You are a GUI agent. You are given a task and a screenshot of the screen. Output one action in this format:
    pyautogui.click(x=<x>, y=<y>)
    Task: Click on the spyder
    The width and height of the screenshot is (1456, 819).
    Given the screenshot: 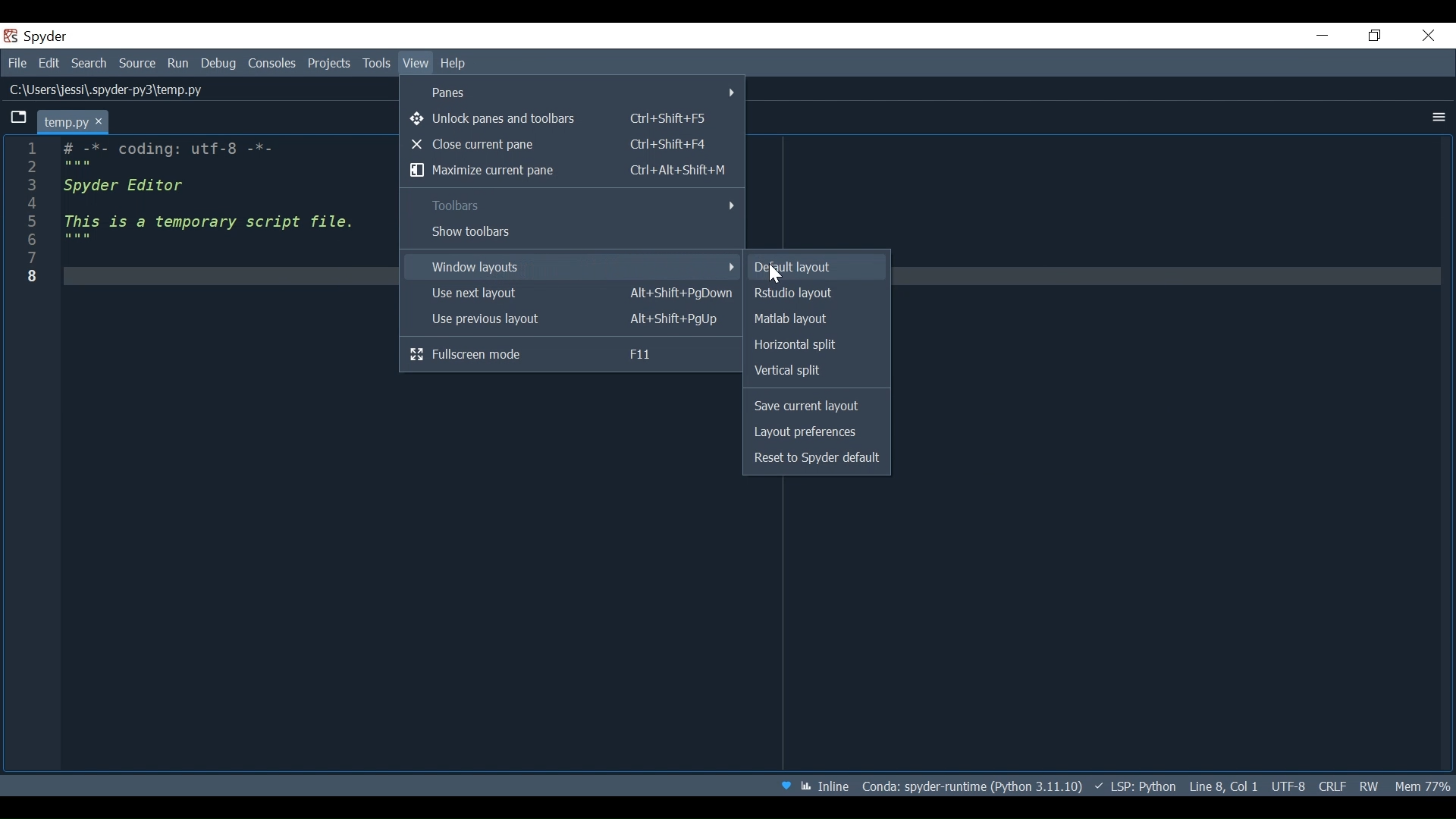 What is the action you would take?
    pyautogui.click(x=55, y=36)
    